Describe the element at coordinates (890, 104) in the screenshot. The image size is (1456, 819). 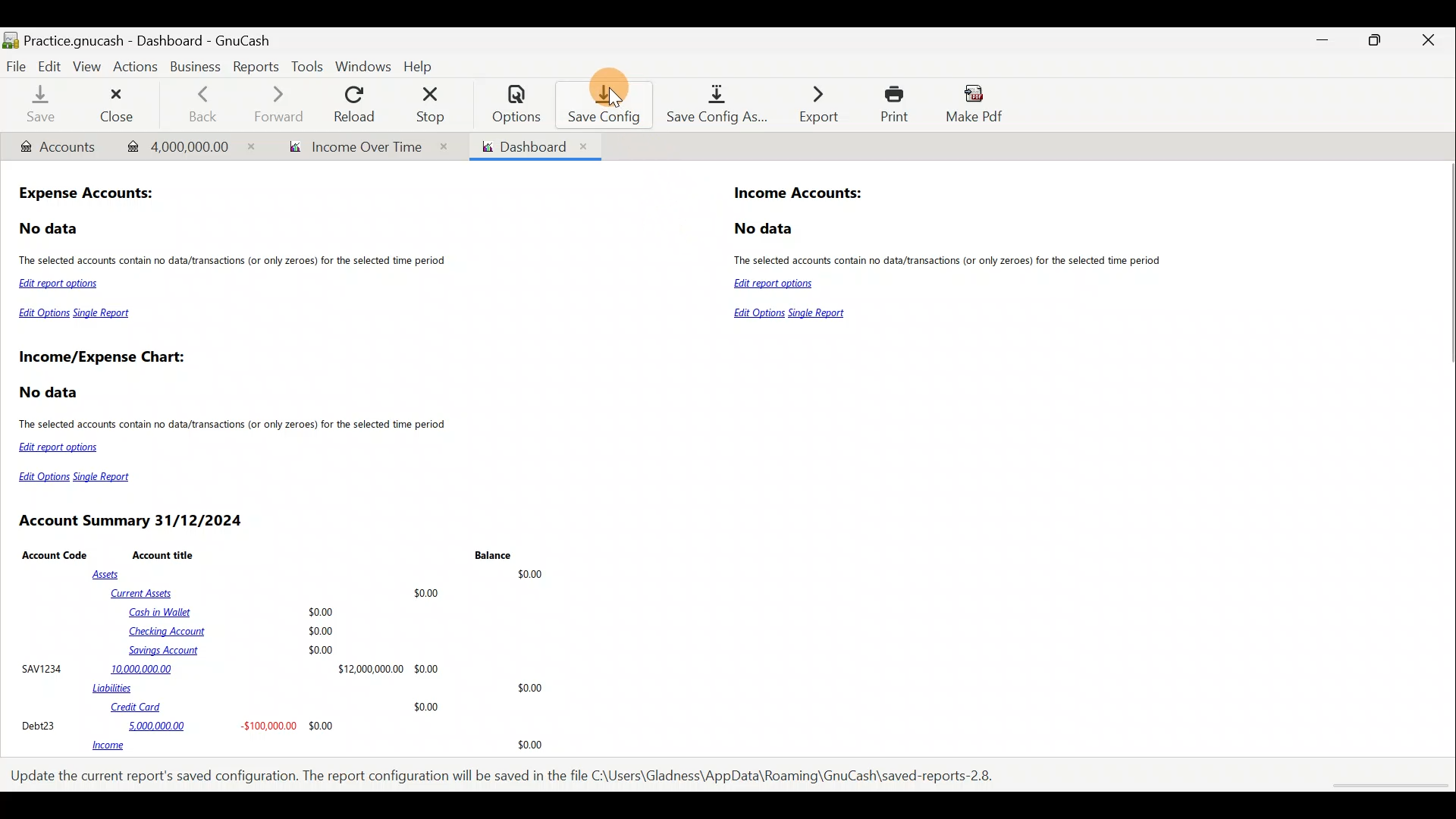
I see `Print` at that location.